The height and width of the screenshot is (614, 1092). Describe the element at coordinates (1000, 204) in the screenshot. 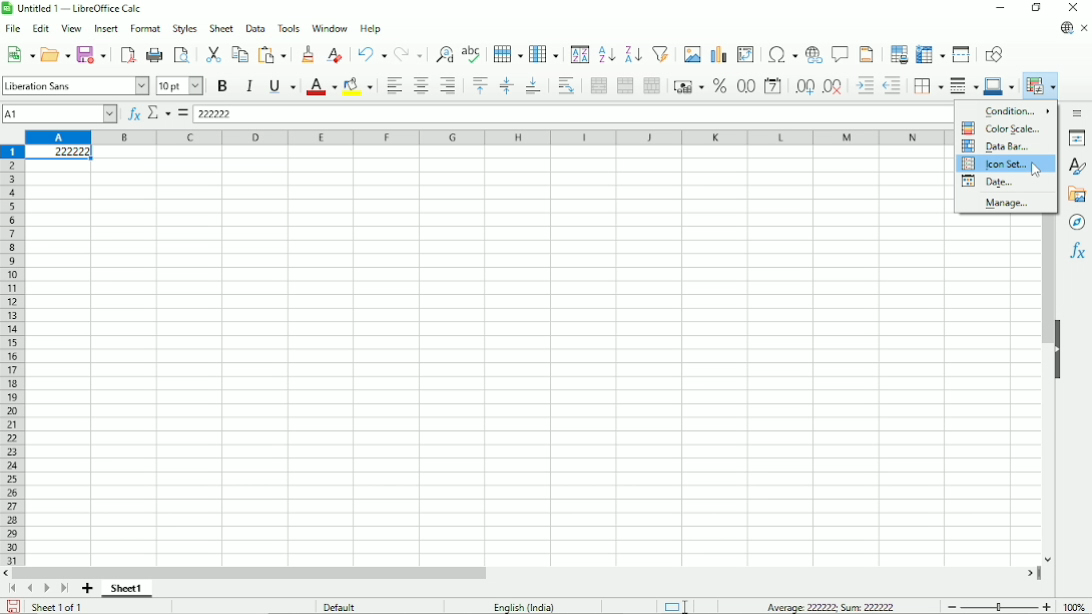

I see `Manage` at that location.